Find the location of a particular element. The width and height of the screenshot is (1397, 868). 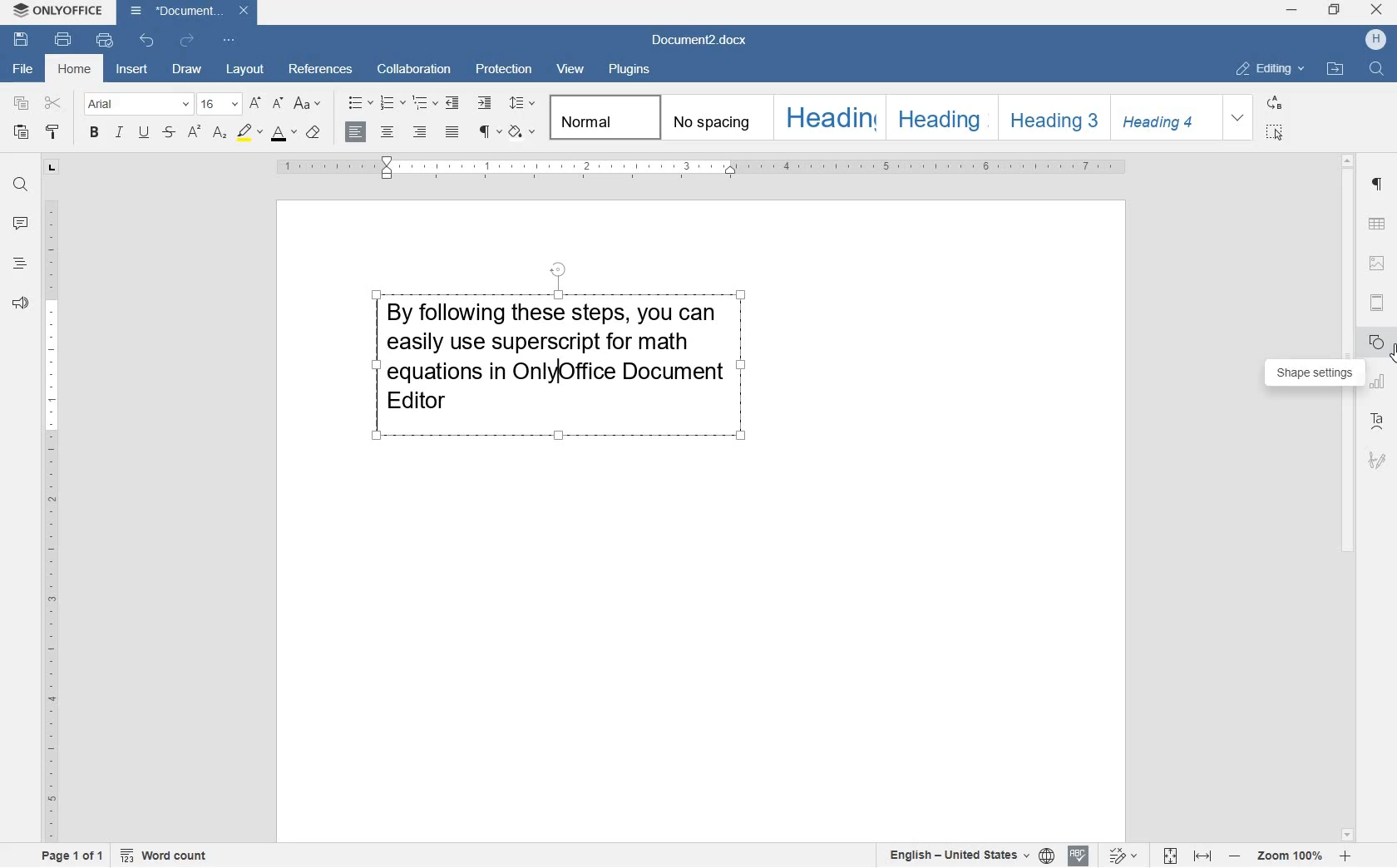

EDITING is located at coordinates (1270, 68).